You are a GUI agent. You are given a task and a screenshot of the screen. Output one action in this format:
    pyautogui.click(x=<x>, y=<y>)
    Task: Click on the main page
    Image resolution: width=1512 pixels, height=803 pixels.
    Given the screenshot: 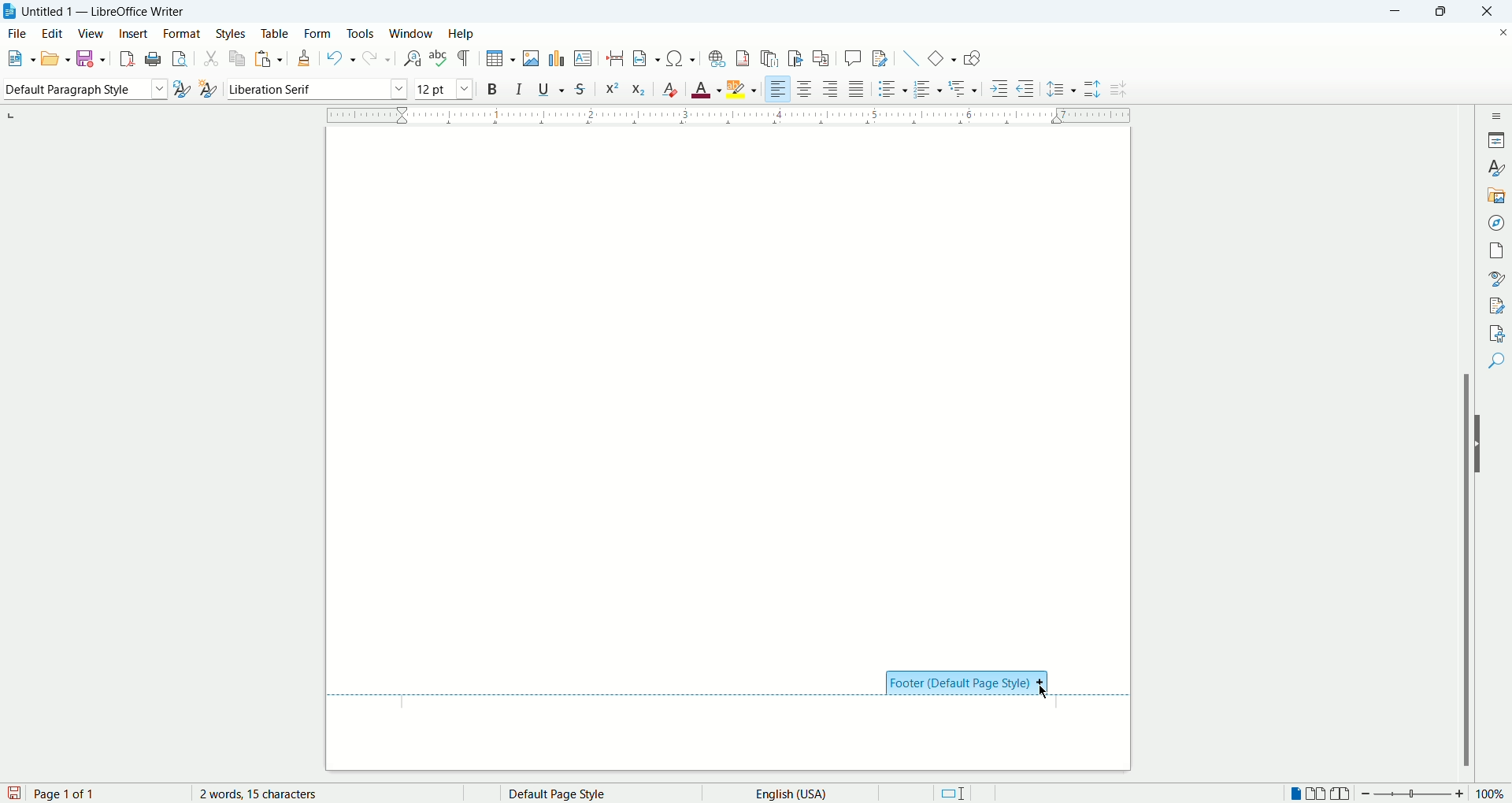 What is the action you would take?
    pyautogui.click(x=730, y=390)
    